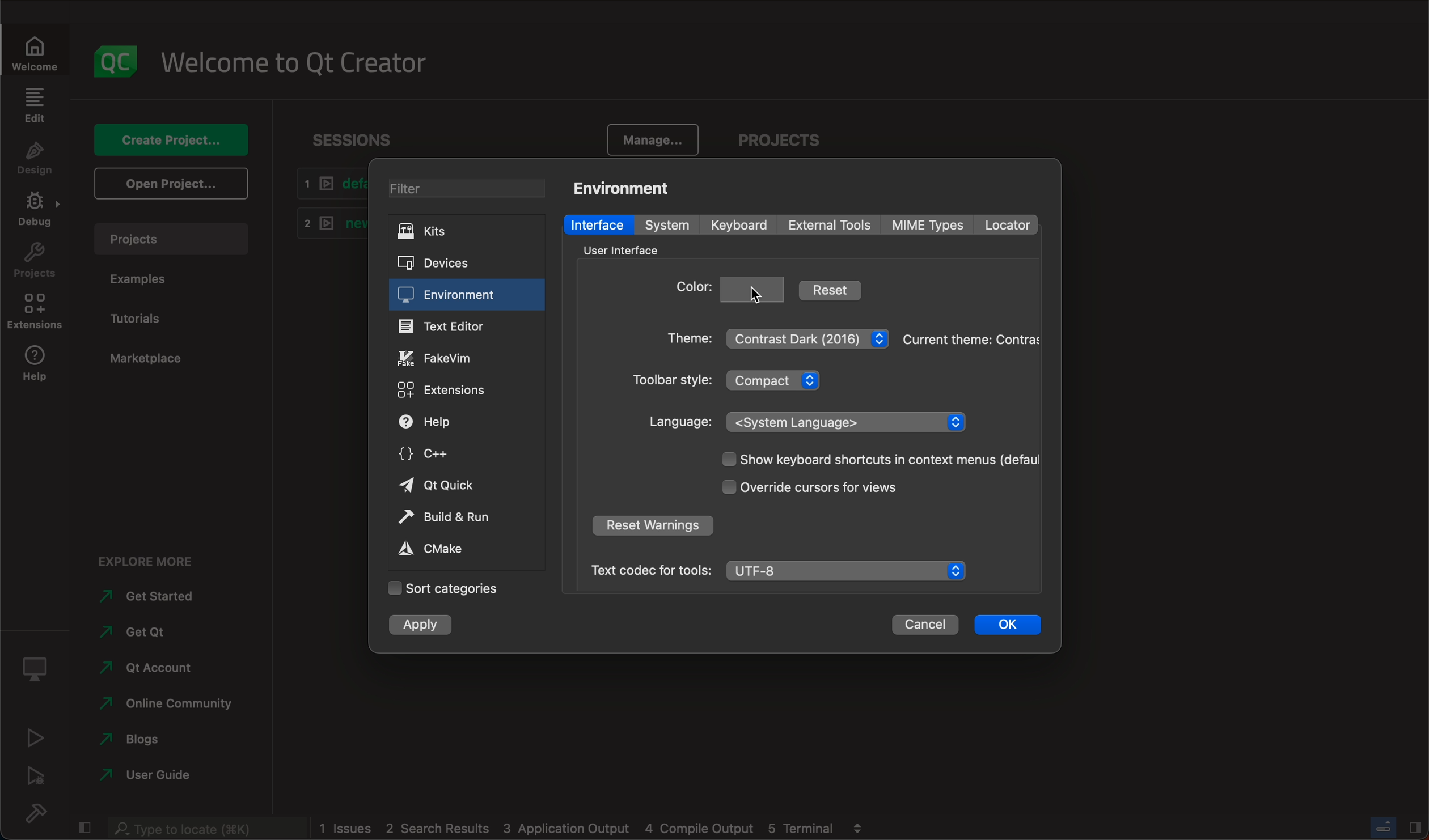 Image resolution: width=1429 pixels, height=840 pixels. Describe the element at coordinates (443, 589) in the screenshot. I see `categories` at that location.